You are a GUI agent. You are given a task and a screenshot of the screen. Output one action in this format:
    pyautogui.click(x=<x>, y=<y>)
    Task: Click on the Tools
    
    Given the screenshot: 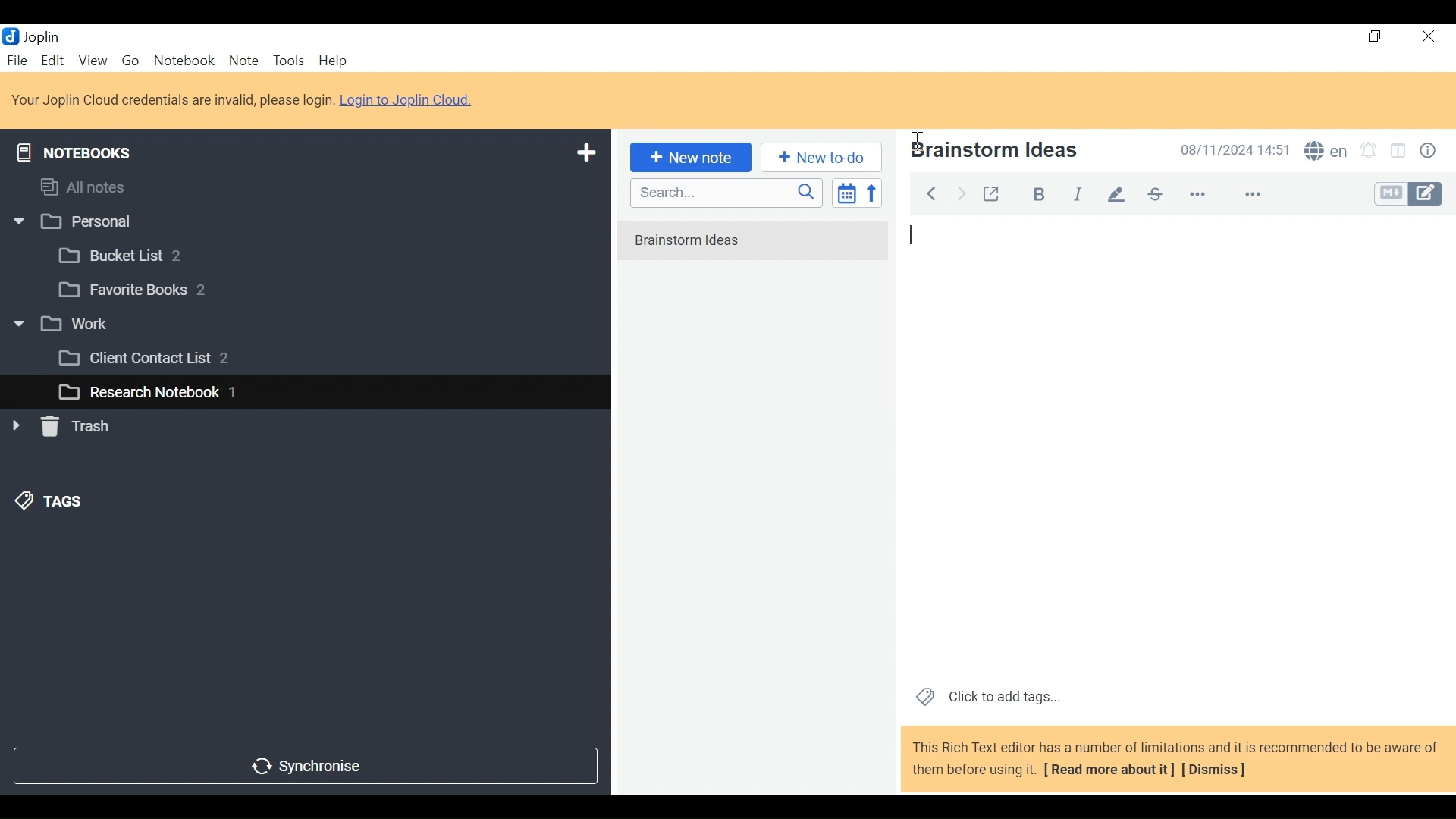 What is the action you would take?
    pyautogui.click(x=287, y=61)
    